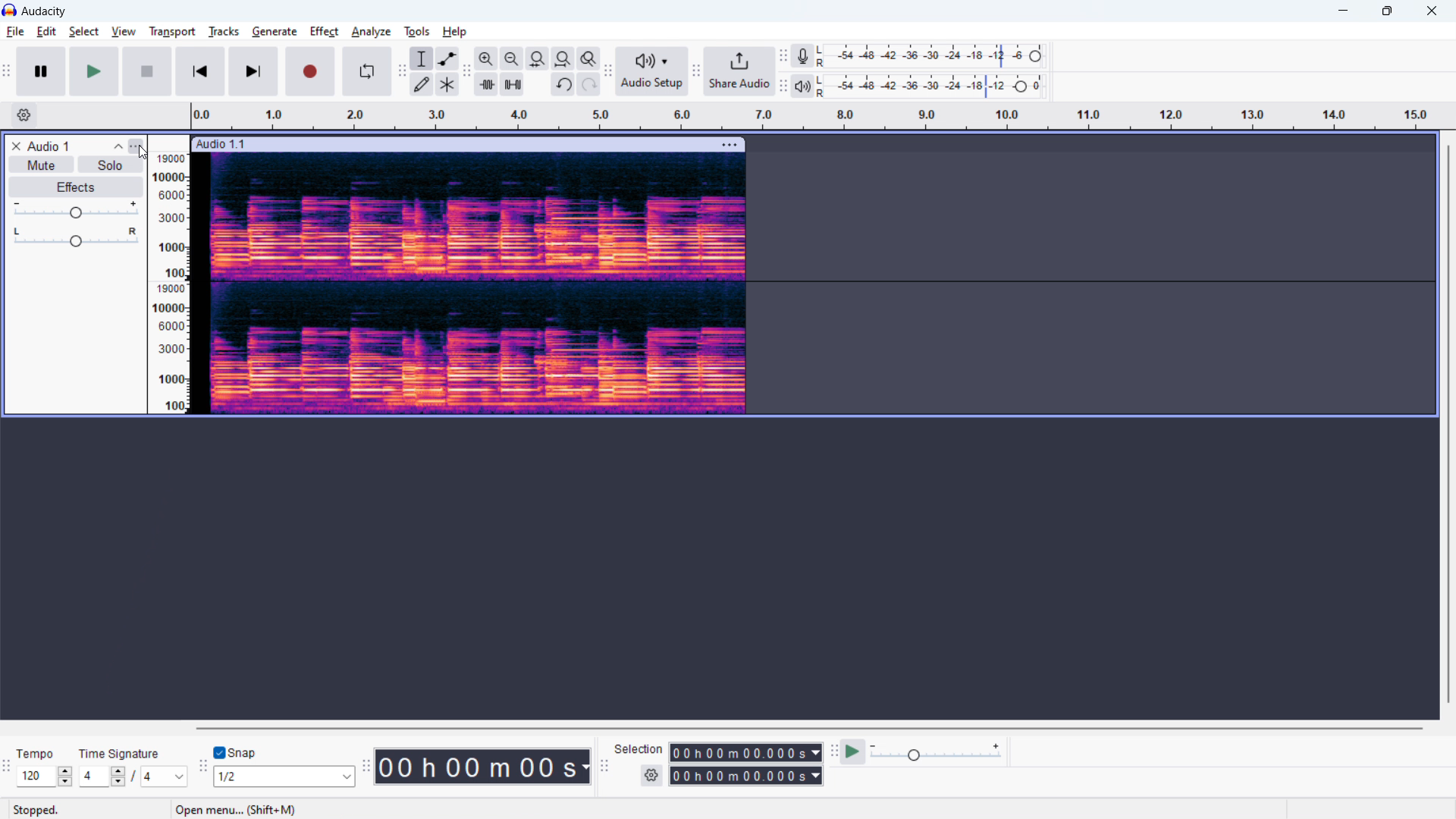 The height and width of the screenshot is (819, 1456). Describe the element at coordinates (274, 31) in the screenshot. I see `generate` at that location.